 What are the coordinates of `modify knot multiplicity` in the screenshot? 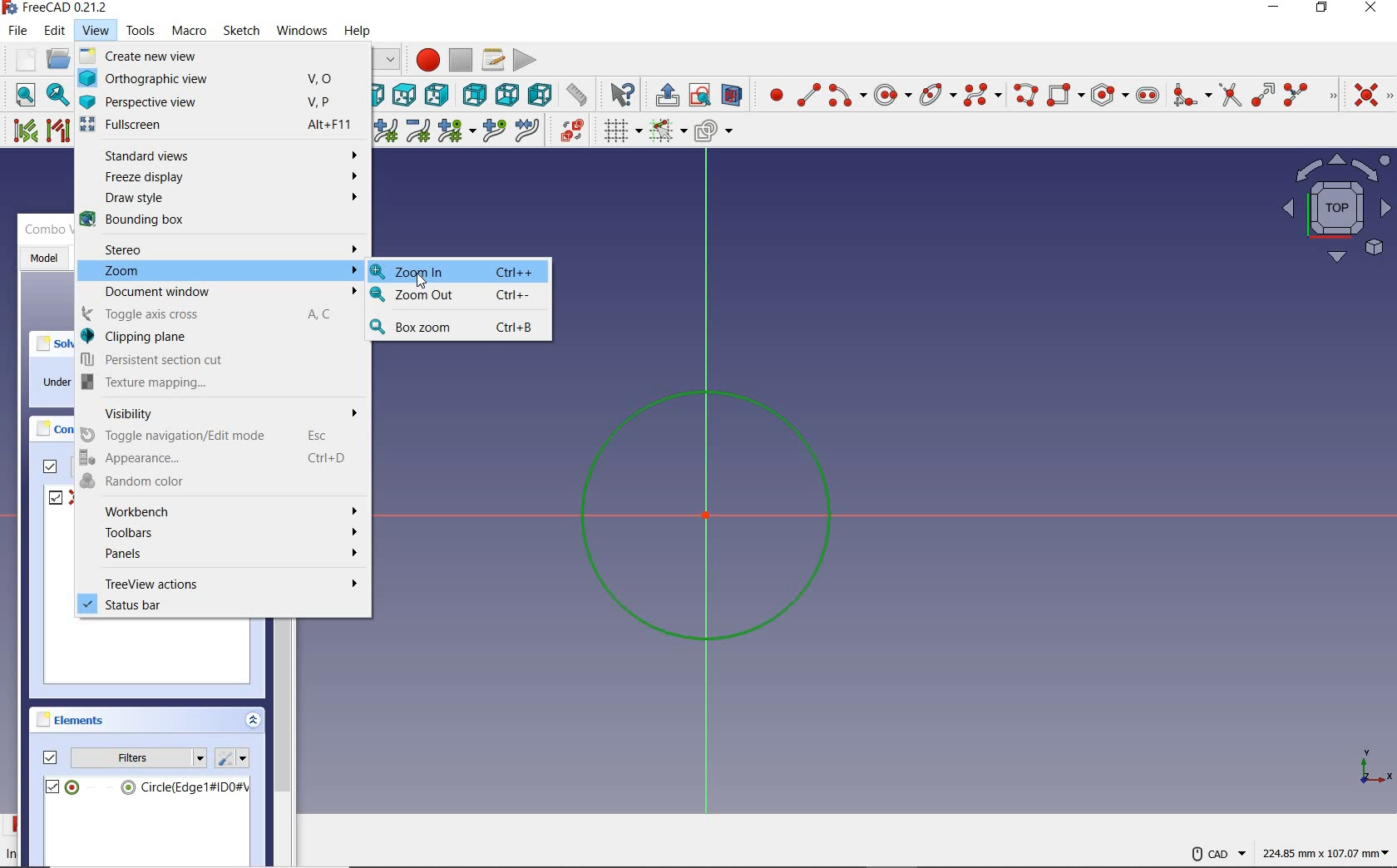 It's located at (455, 131).